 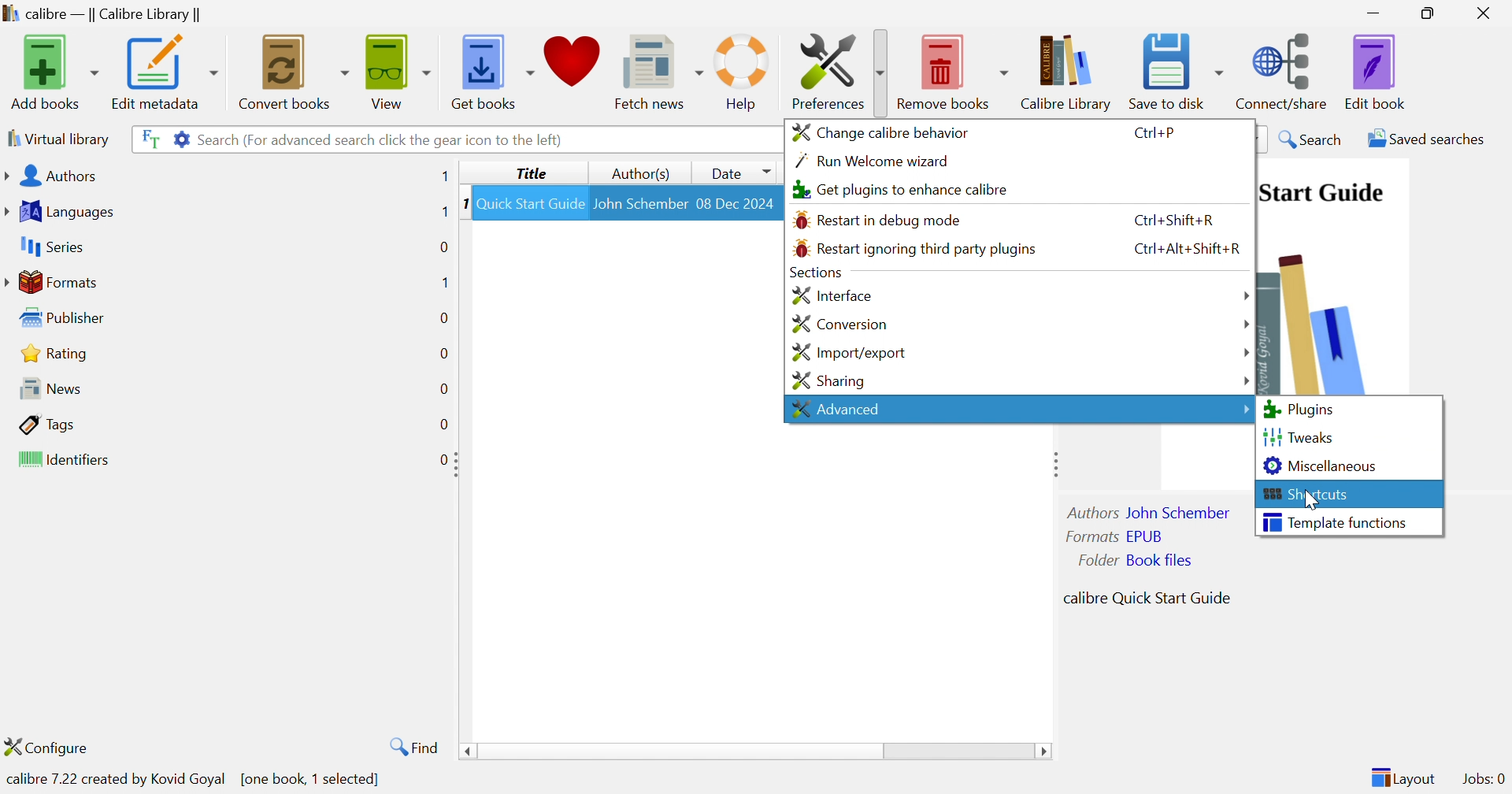 I want to click on 0, so click(x=443, y=425).